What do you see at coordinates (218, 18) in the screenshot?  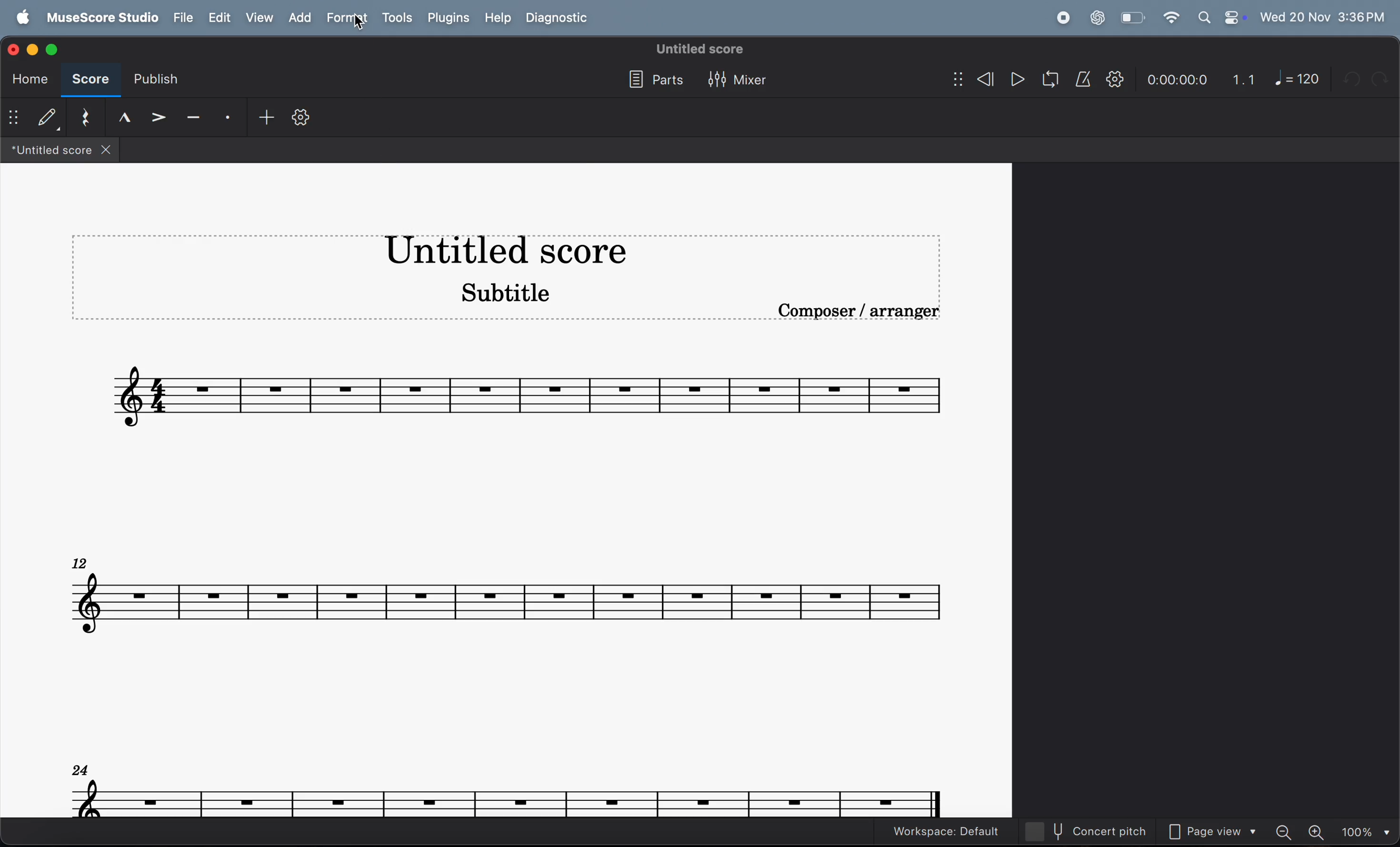 I see `edit` at bounding box center [218, 18].